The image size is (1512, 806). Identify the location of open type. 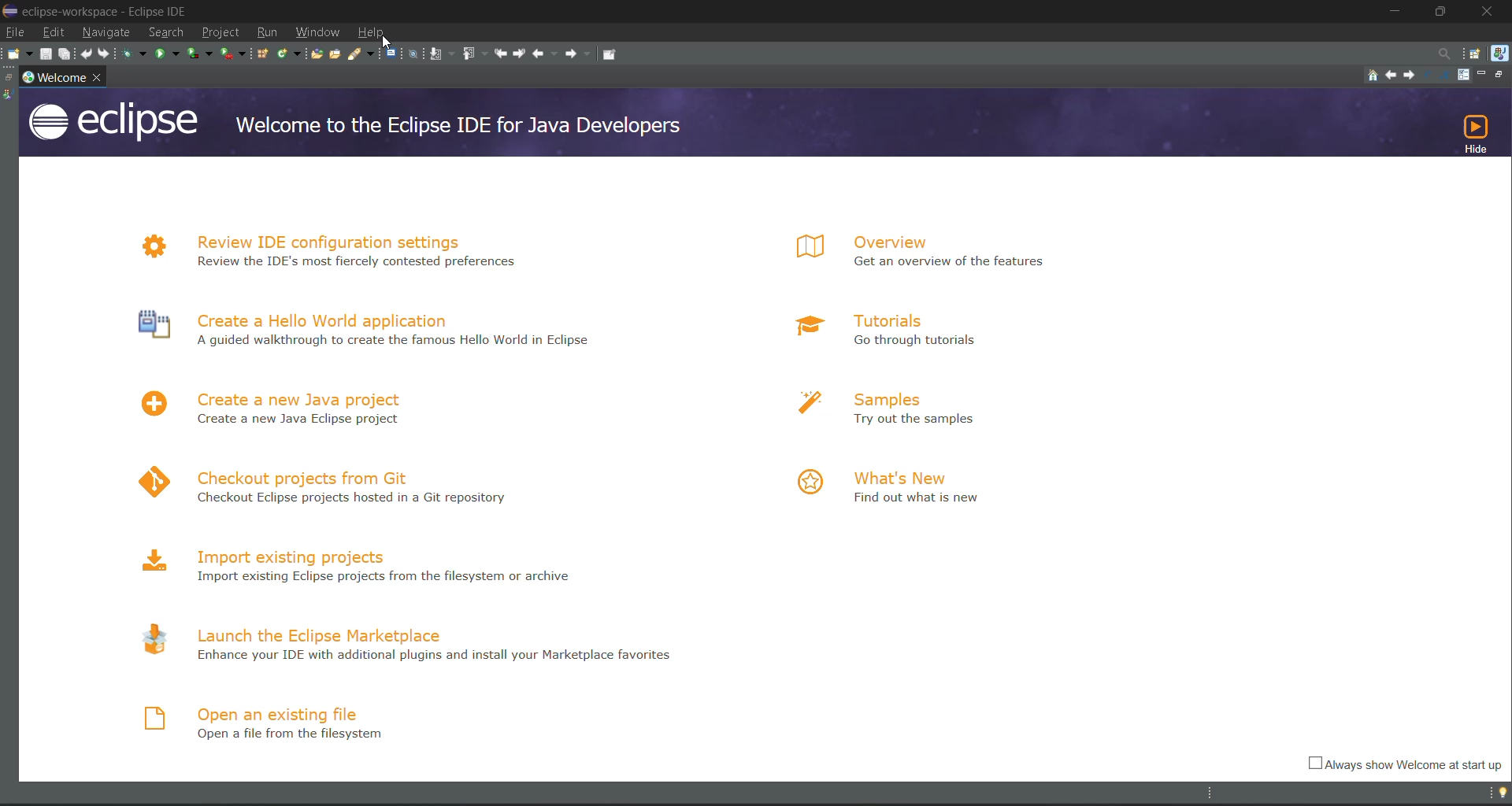
(315, 53).